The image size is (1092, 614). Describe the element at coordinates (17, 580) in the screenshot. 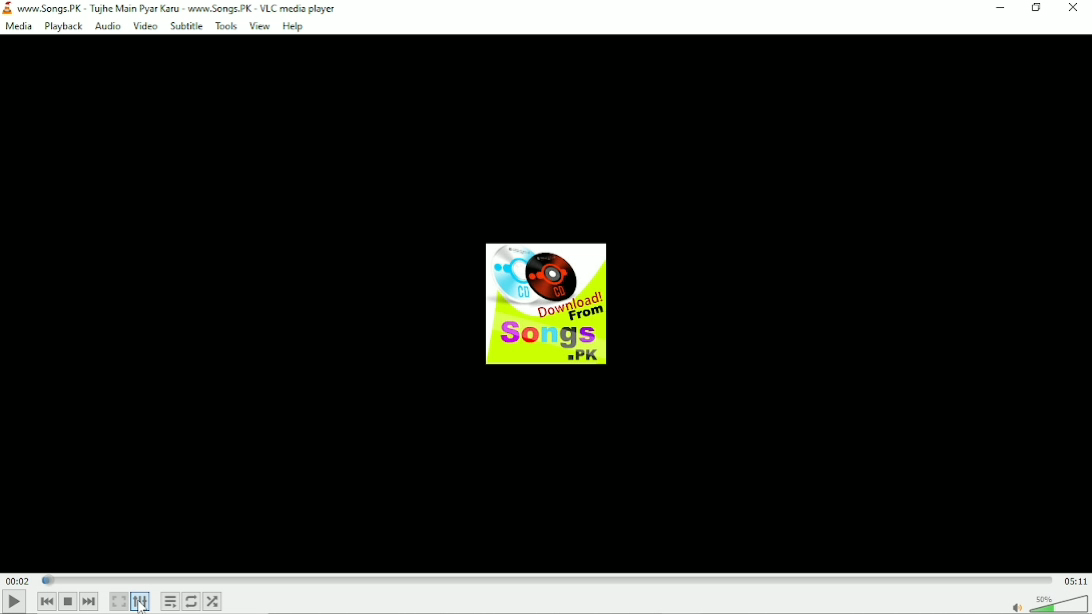

I see `Elapsed time` at that location.